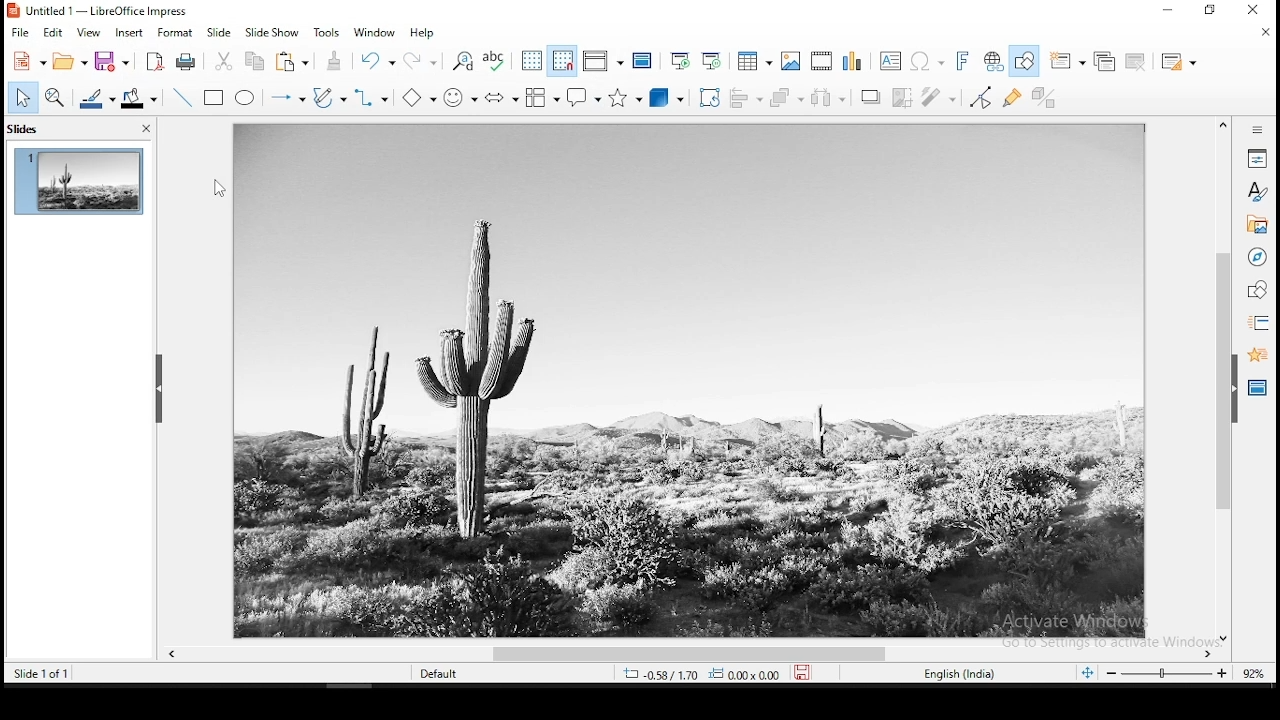 The width and height of the screenshot is (1280, 720). Describe the element at coordinates (418, 97) in the screenshot. I see `basic shapes` at that location.